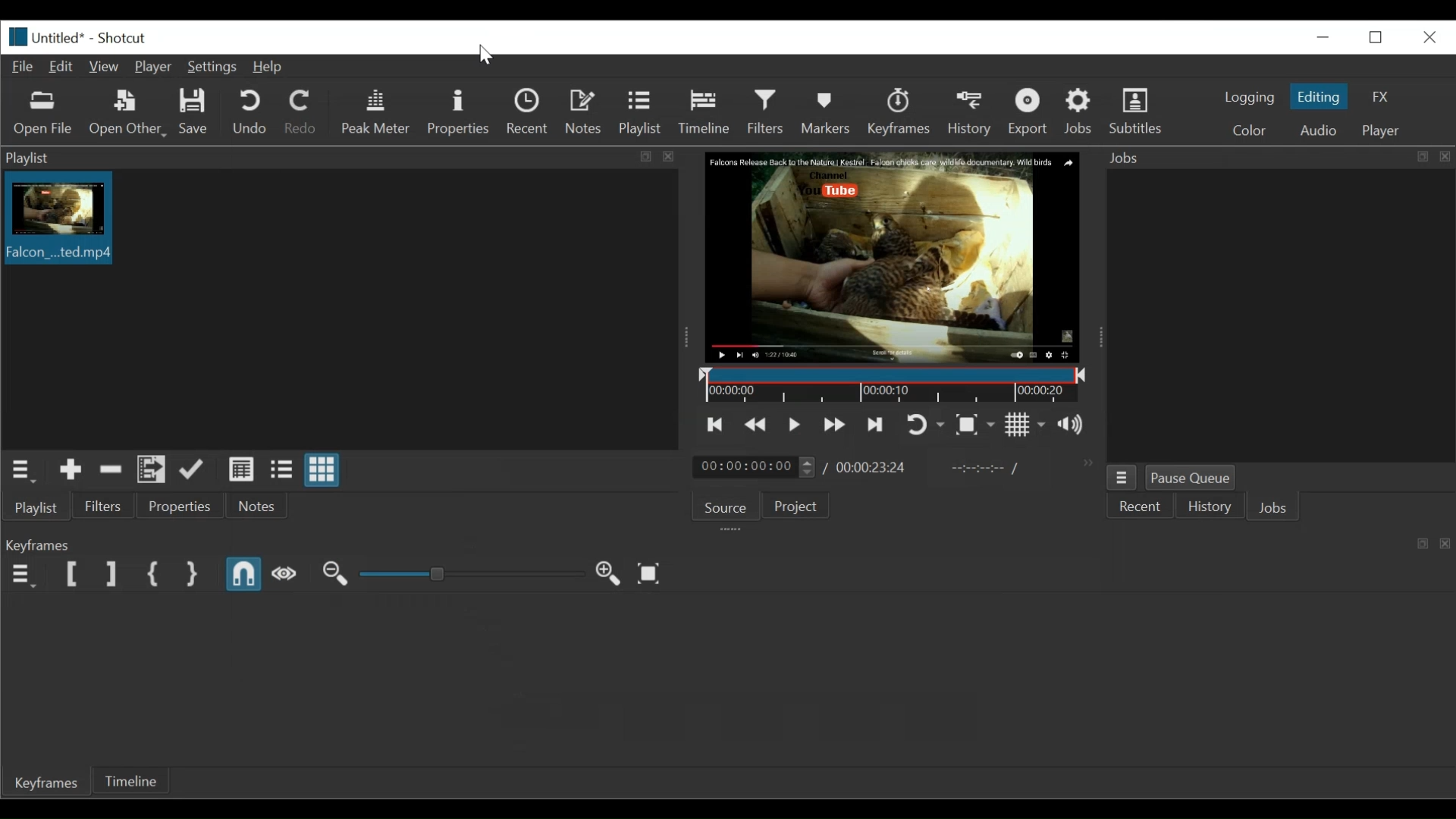 The height and width of the screenshot is (819, 1456). Describe the element at coordinates (152, 470) in the screenshot. I see `Add files to the playlist` at that location.